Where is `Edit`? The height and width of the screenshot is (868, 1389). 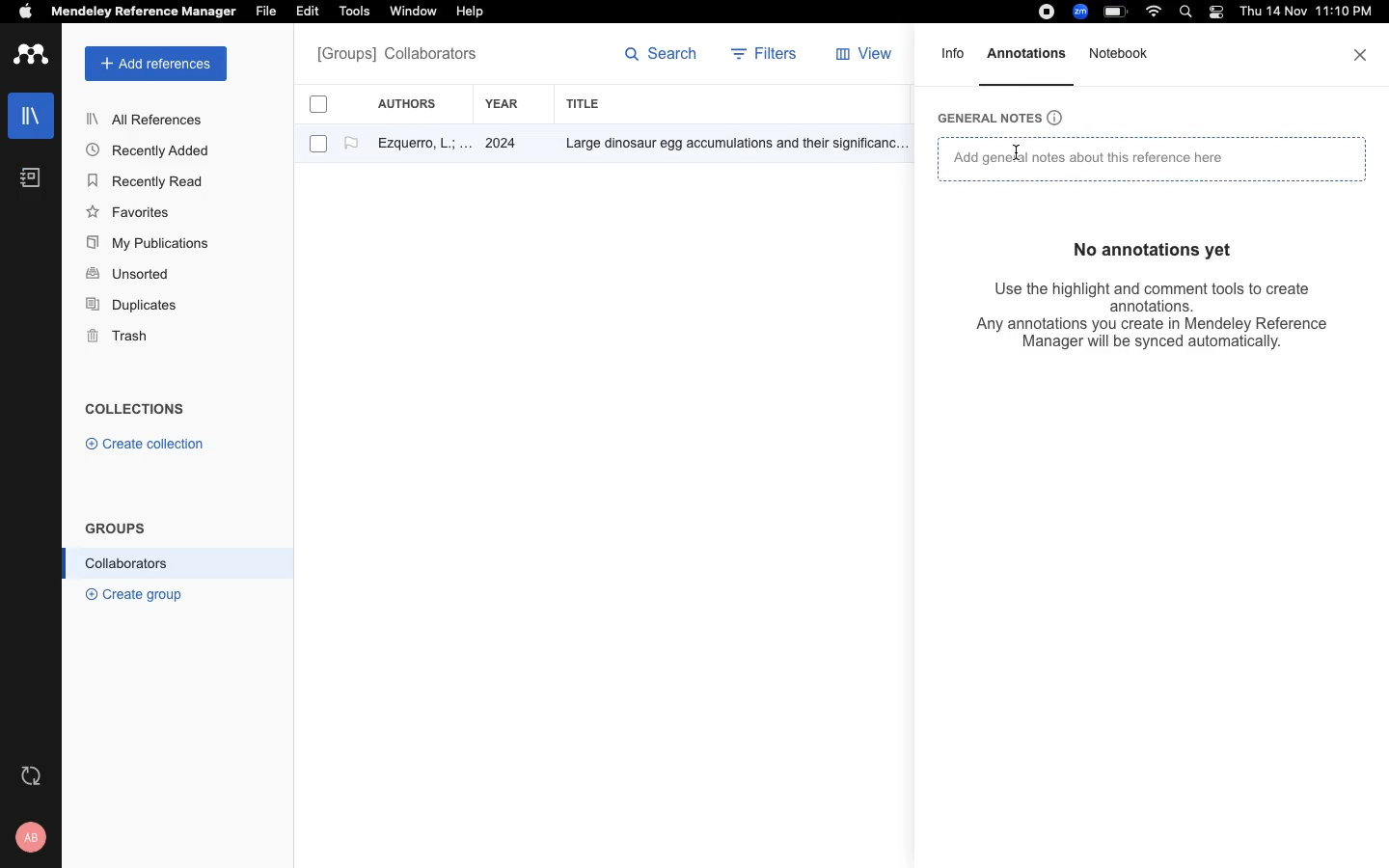 Edit is located at coordinates (311, 13).